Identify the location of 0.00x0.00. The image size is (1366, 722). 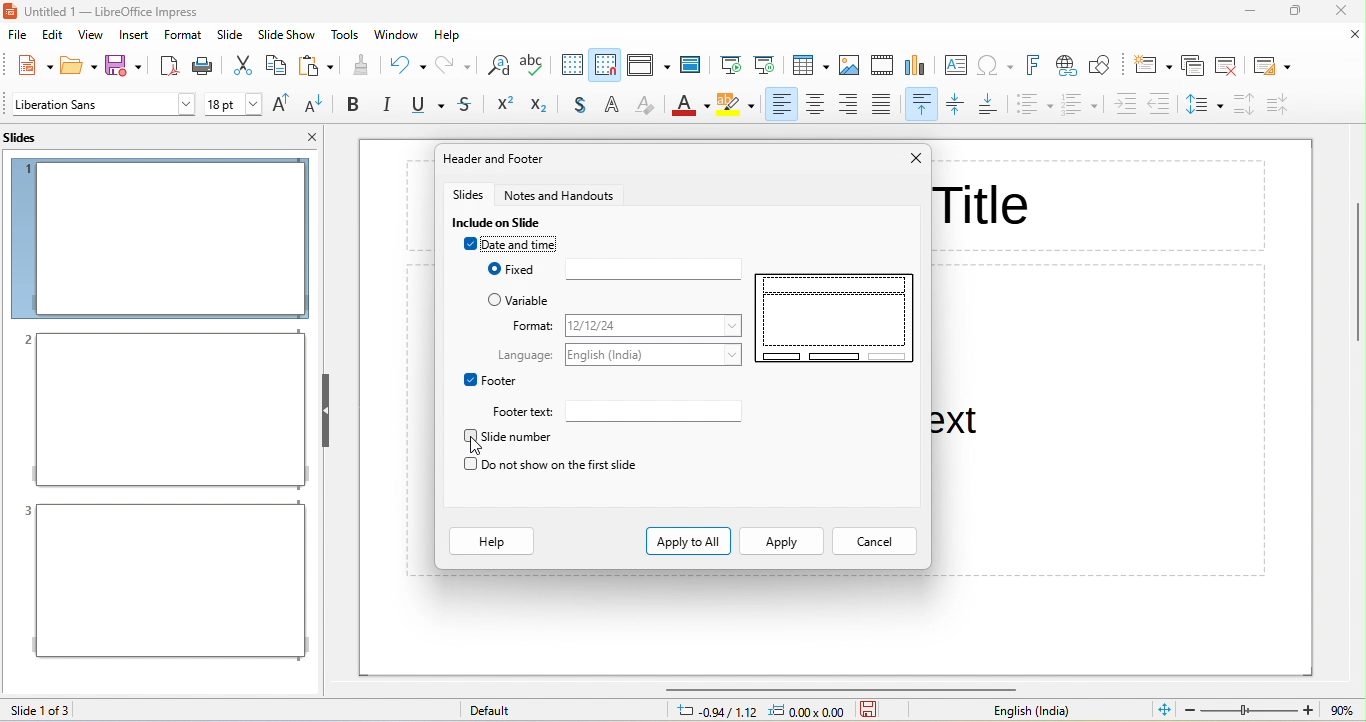
(811, 712).